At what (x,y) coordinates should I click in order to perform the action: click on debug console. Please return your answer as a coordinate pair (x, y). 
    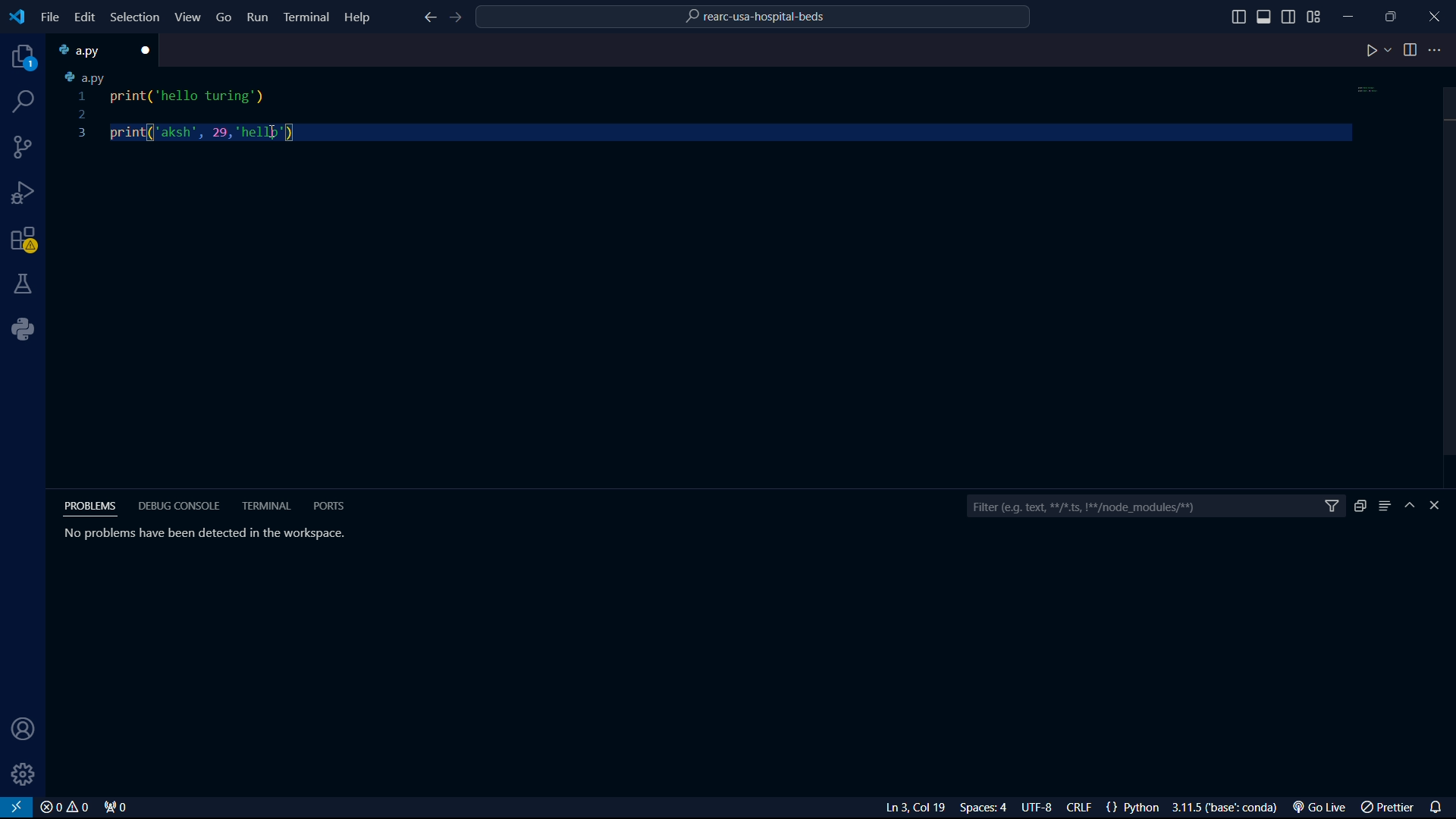
    Looking at the image, I should click on (179, 506).